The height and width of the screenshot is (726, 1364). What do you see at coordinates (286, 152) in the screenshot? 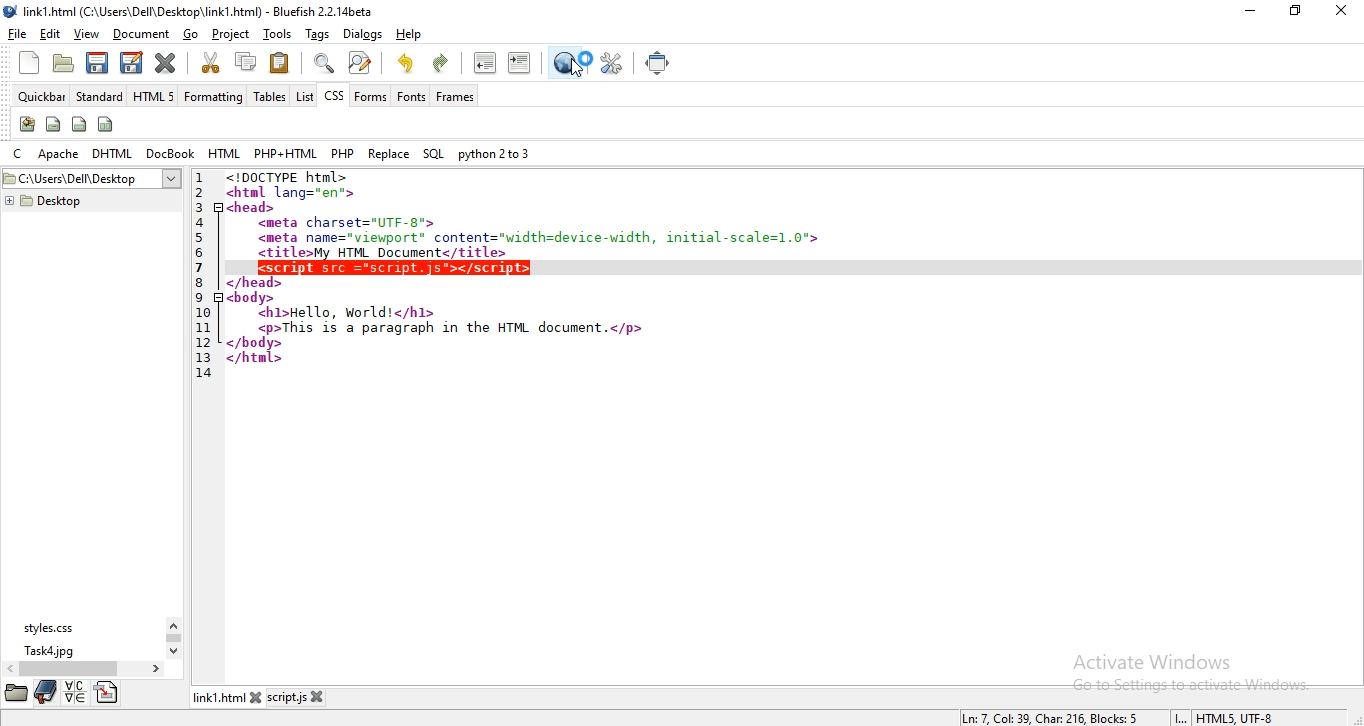
I see `php + html` at bounding box center [286, 152].